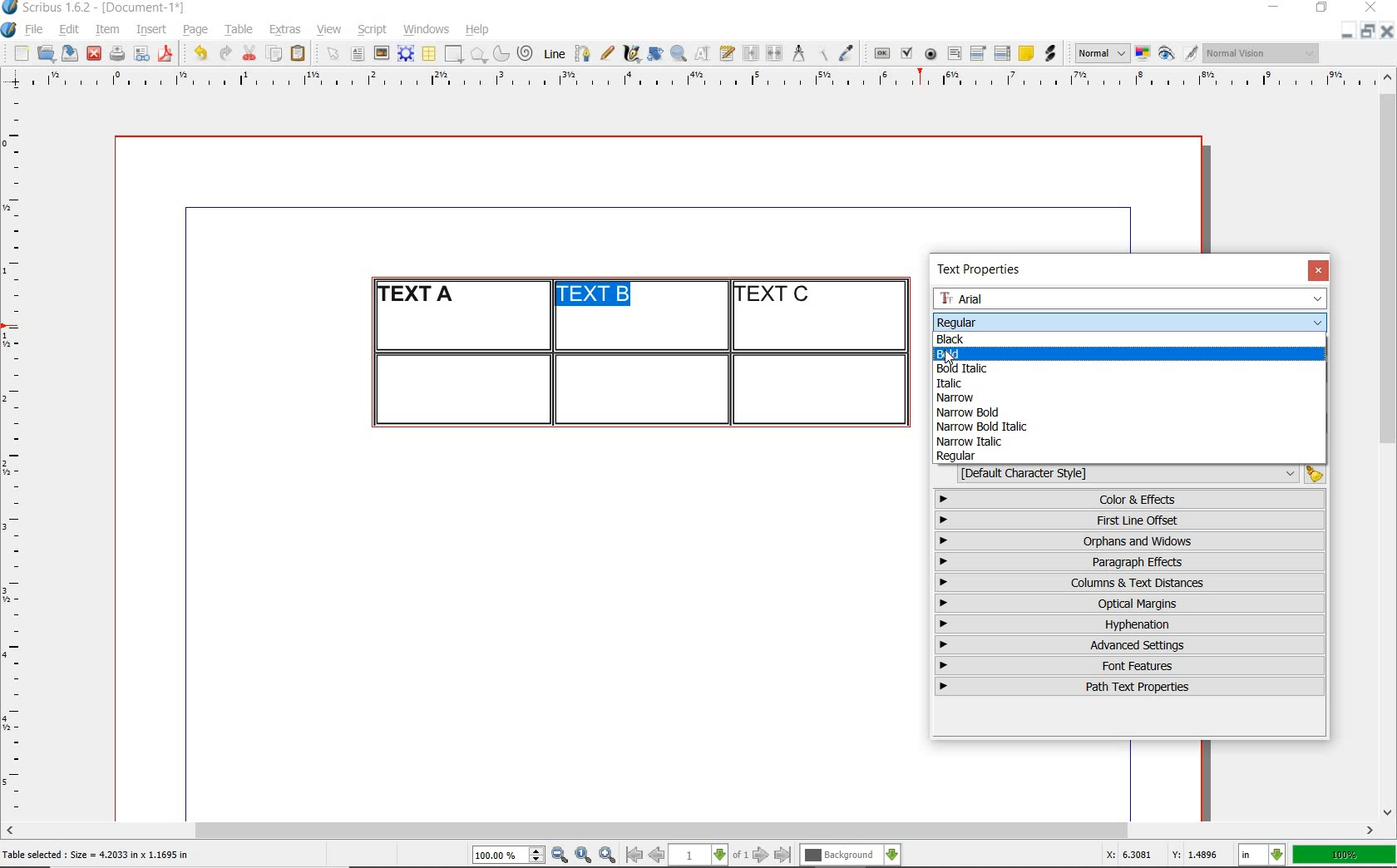 This screenshot has width=1397, height=868. Describe the element at coordinates (962, 398) in the screenshot. I see `narrow` at that location.